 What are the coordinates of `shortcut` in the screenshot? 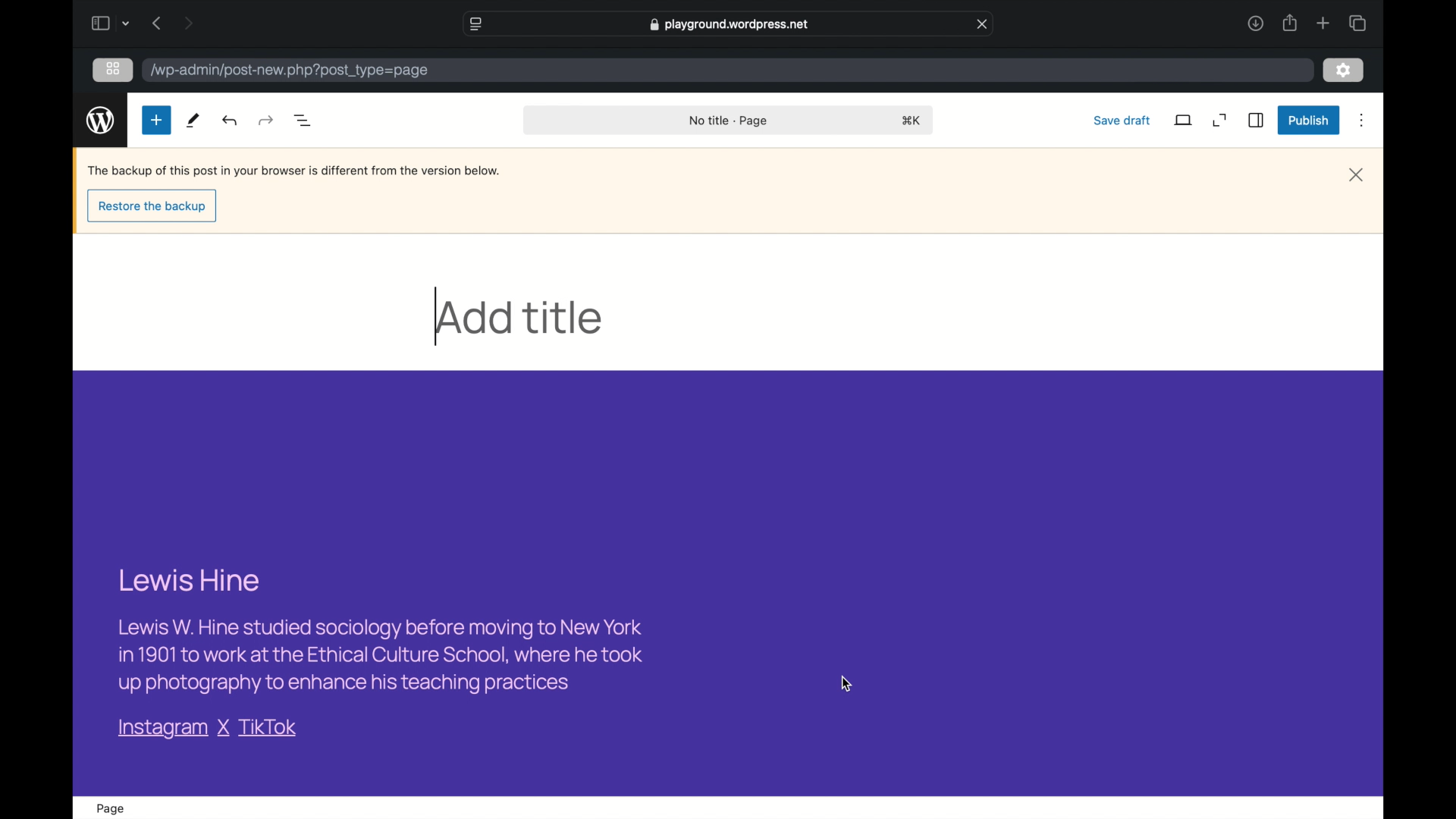 It's located at (911, 120).